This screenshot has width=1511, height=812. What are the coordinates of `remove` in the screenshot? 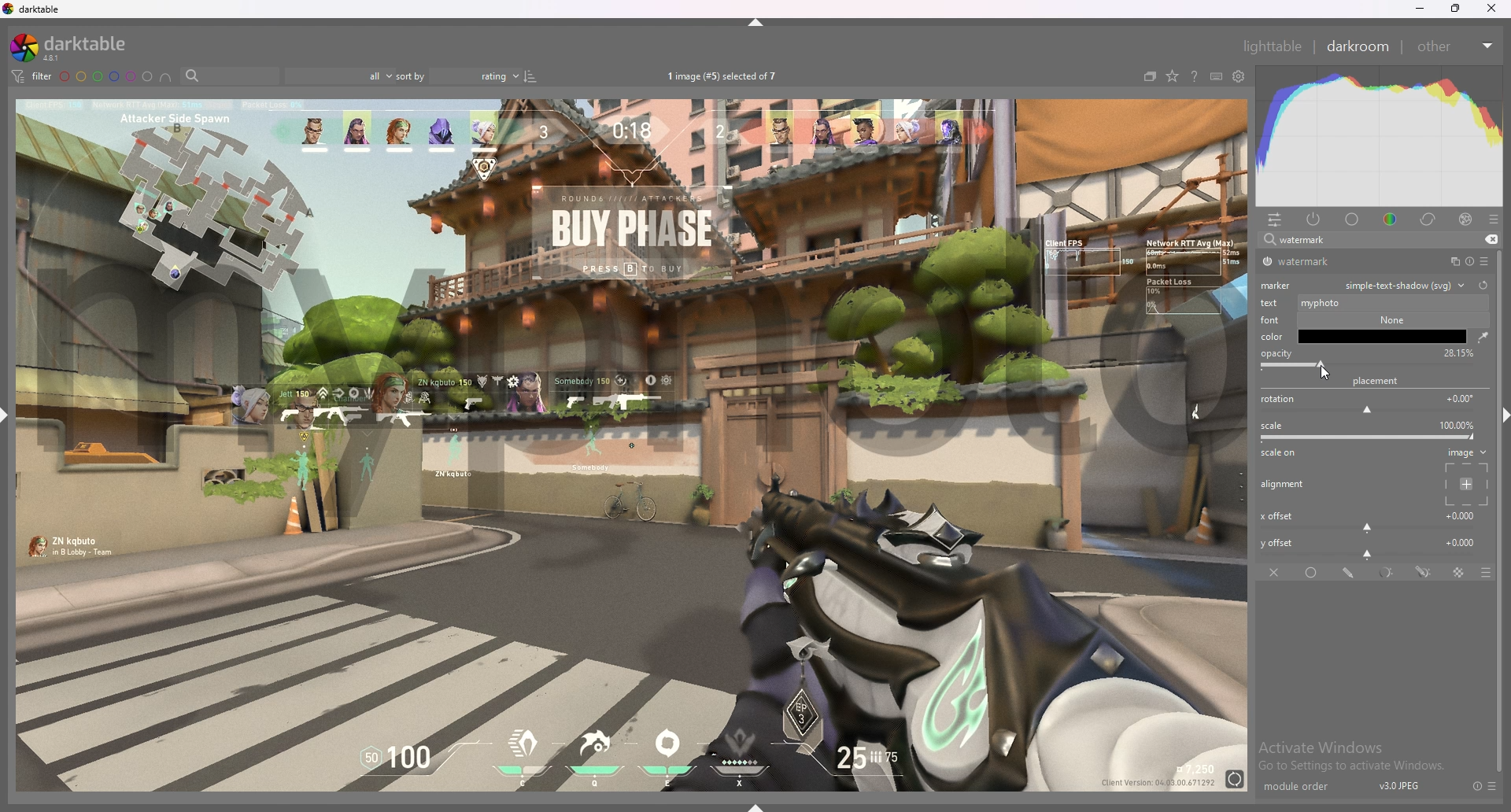 It's located at (1489, 240).